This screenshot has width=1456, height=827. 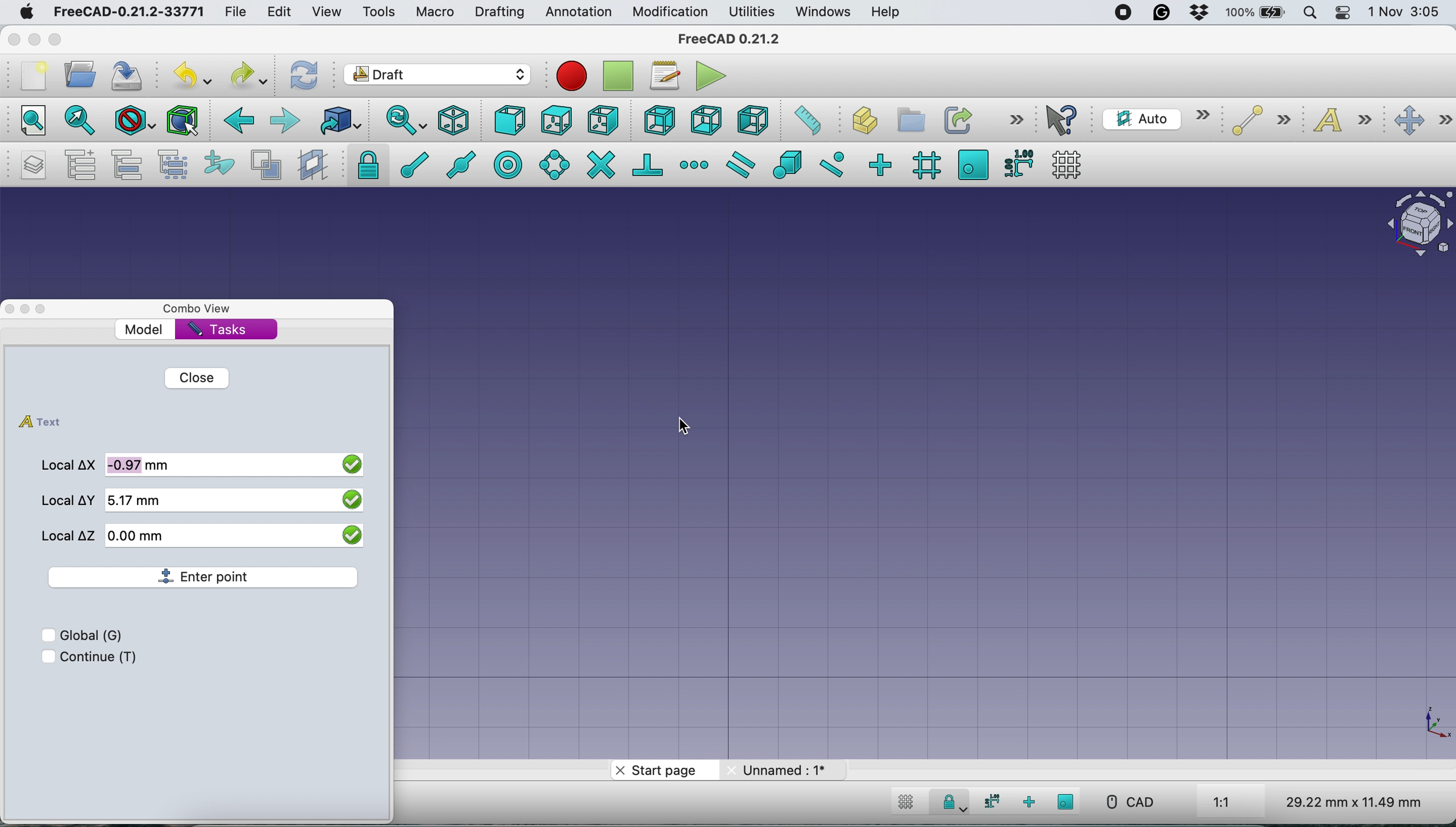 What do you see at coordinates (80, 73) in the screenshot?
I see `open` at bounding box center [80, 73].